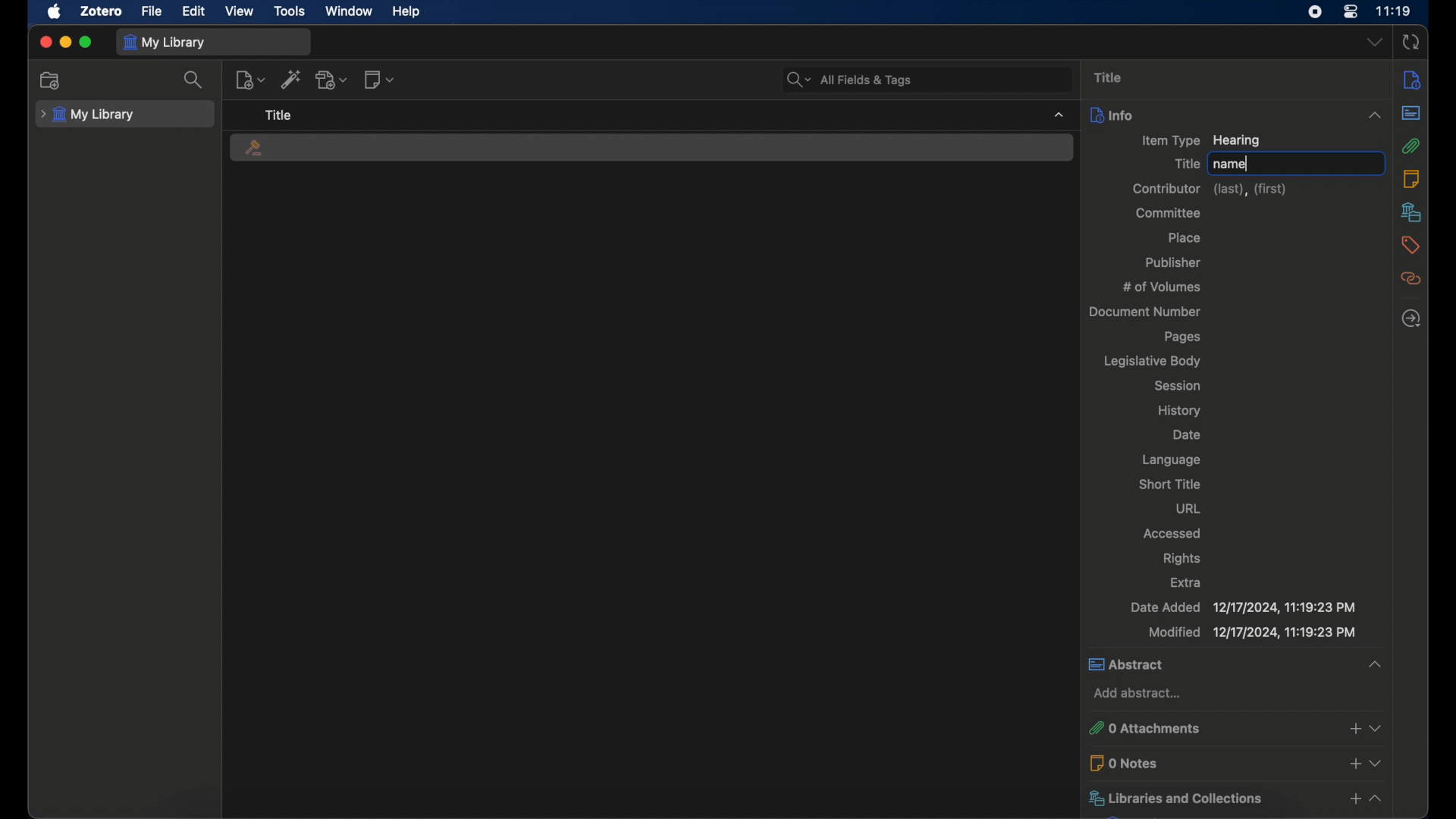 This screenshot has width=1456, height=819. I want to click on dropdown, so click(1057, 114).